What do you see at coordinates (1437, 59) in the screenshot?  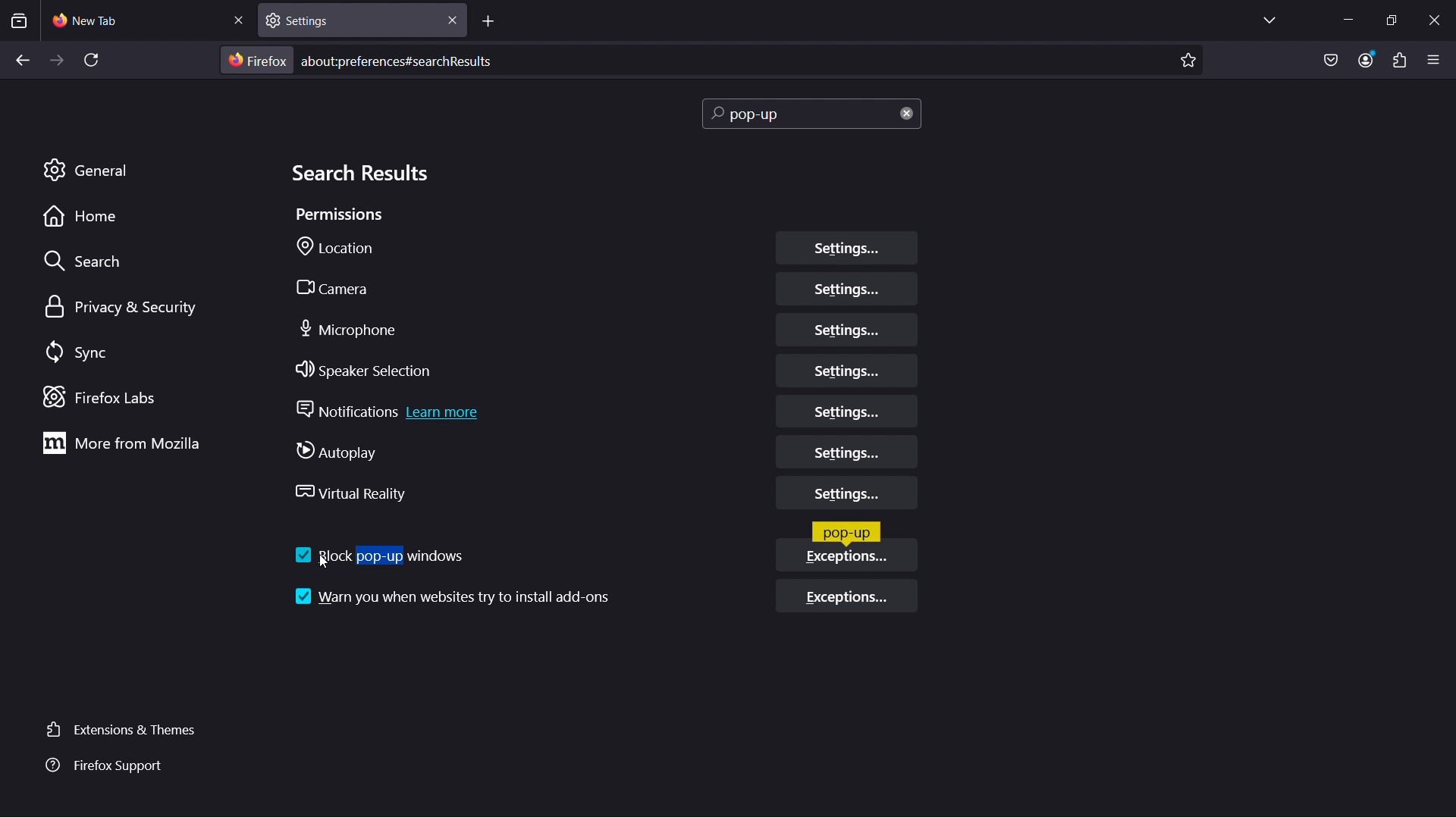 I see `Open application menu` at bounding box center [1437, 59].